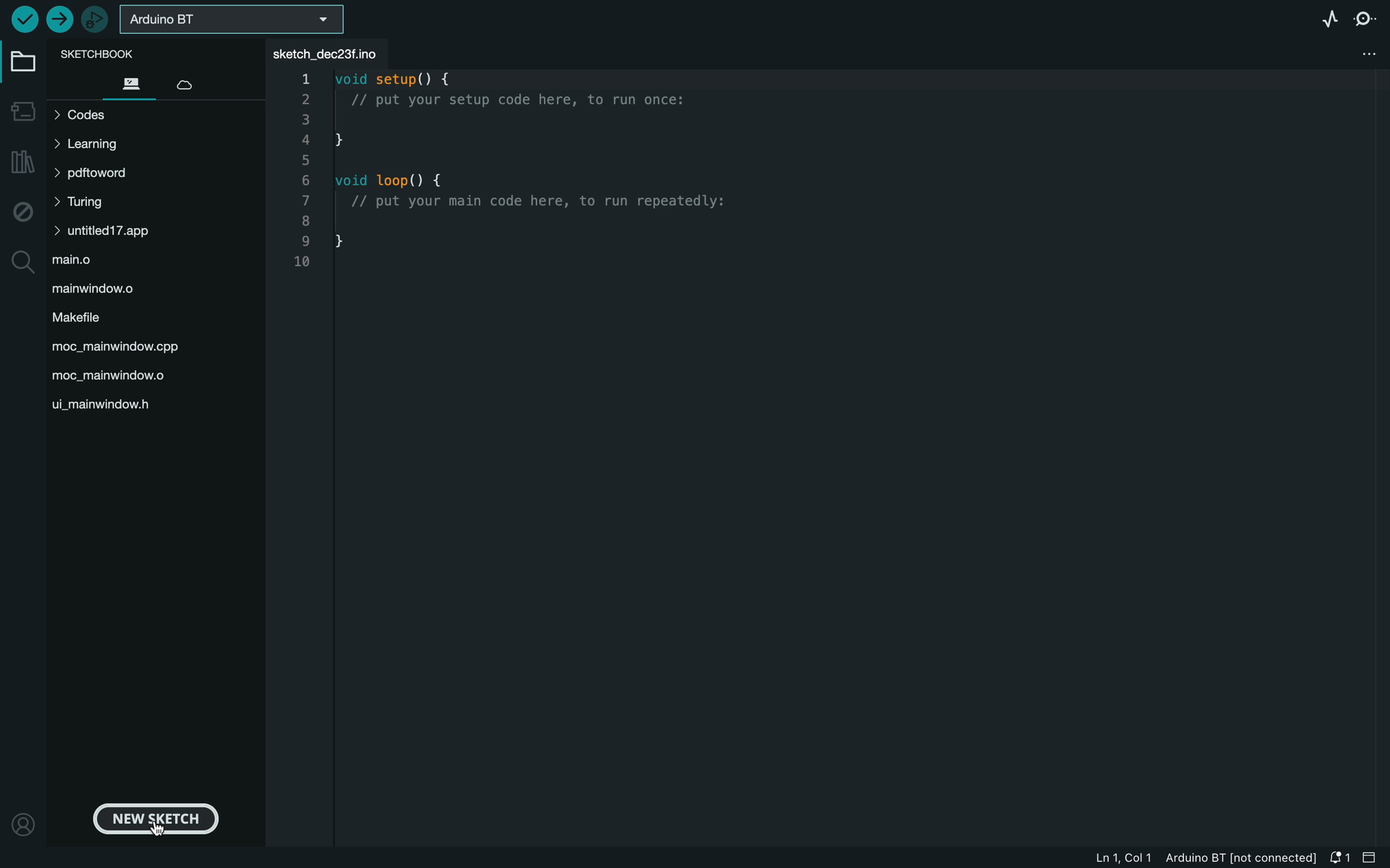  What do you see at coordinates (519, 176) in the screenshot?
I see `code` at bounding box center [519, 176].